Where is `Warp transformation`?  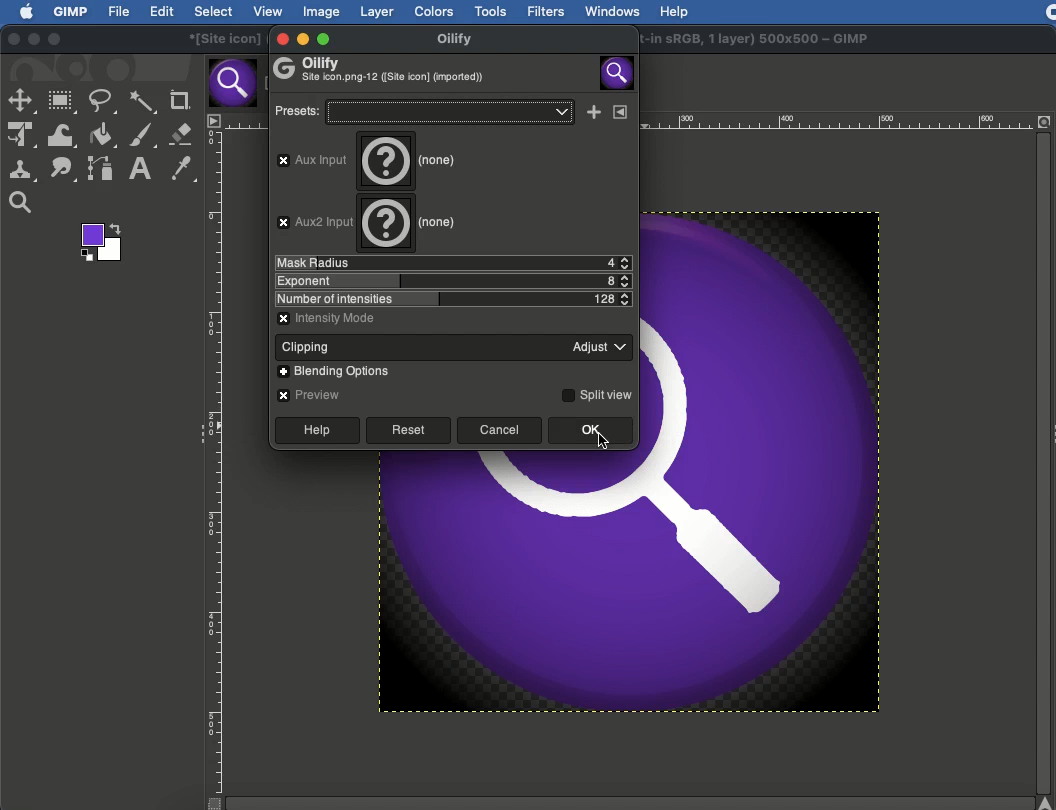 Warp transformation is located at coordinates (62, 136).